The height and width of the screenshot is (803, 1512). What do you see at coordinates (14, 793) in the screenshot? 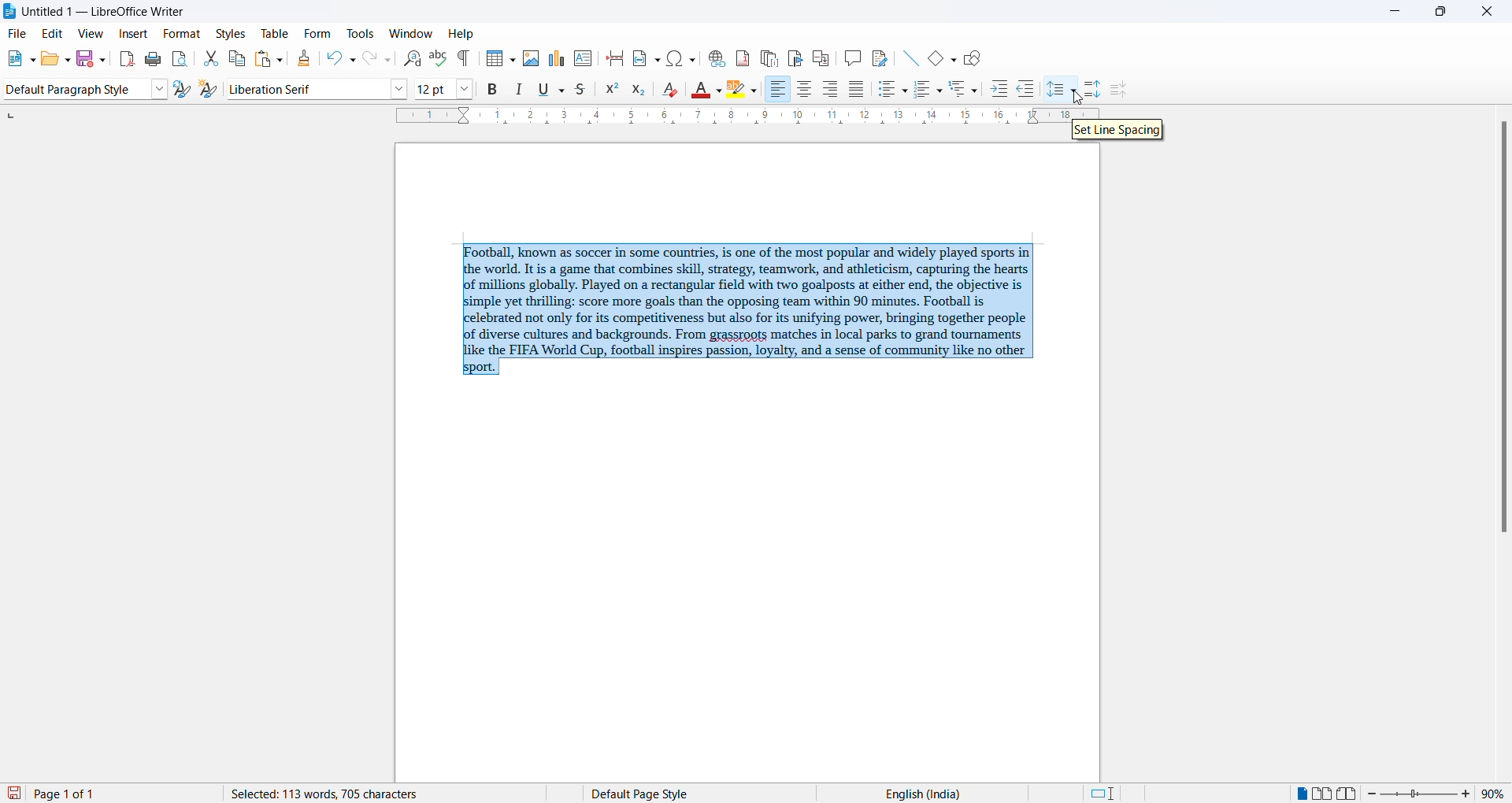
I see `save` at bounding box center [14, 793].